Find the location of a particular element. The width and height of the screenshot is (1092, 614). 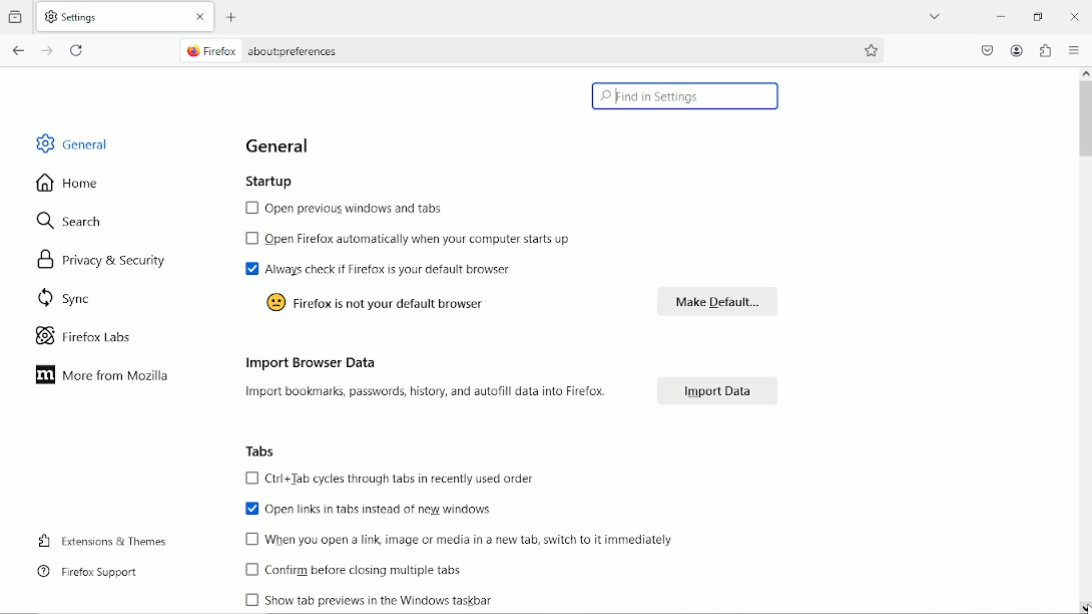

Open previous windows and tabs is located at coordinates (345, 209).